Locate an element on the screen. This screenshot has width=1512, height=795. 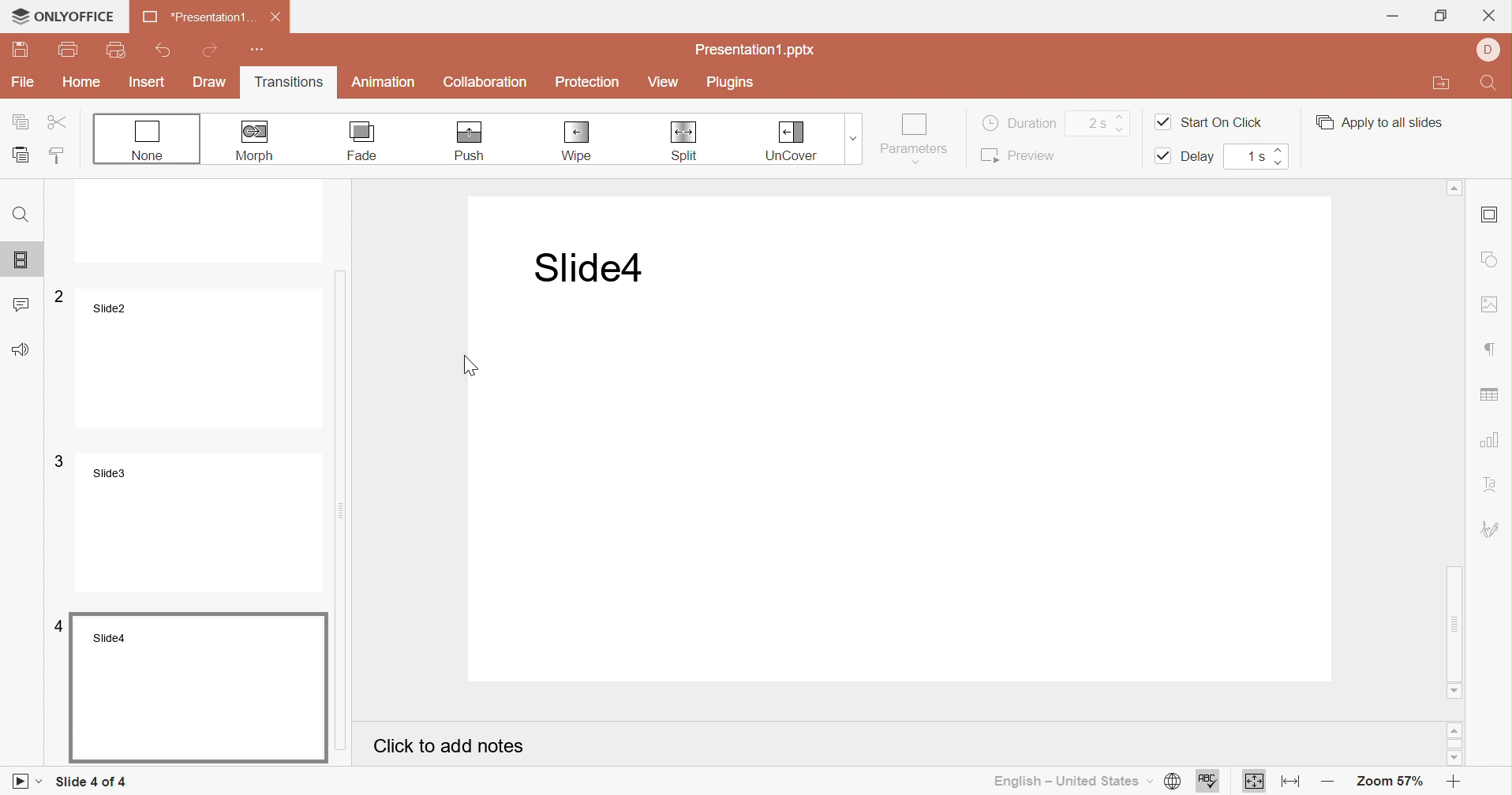
Slide4 is located at coordinates (189, 685).